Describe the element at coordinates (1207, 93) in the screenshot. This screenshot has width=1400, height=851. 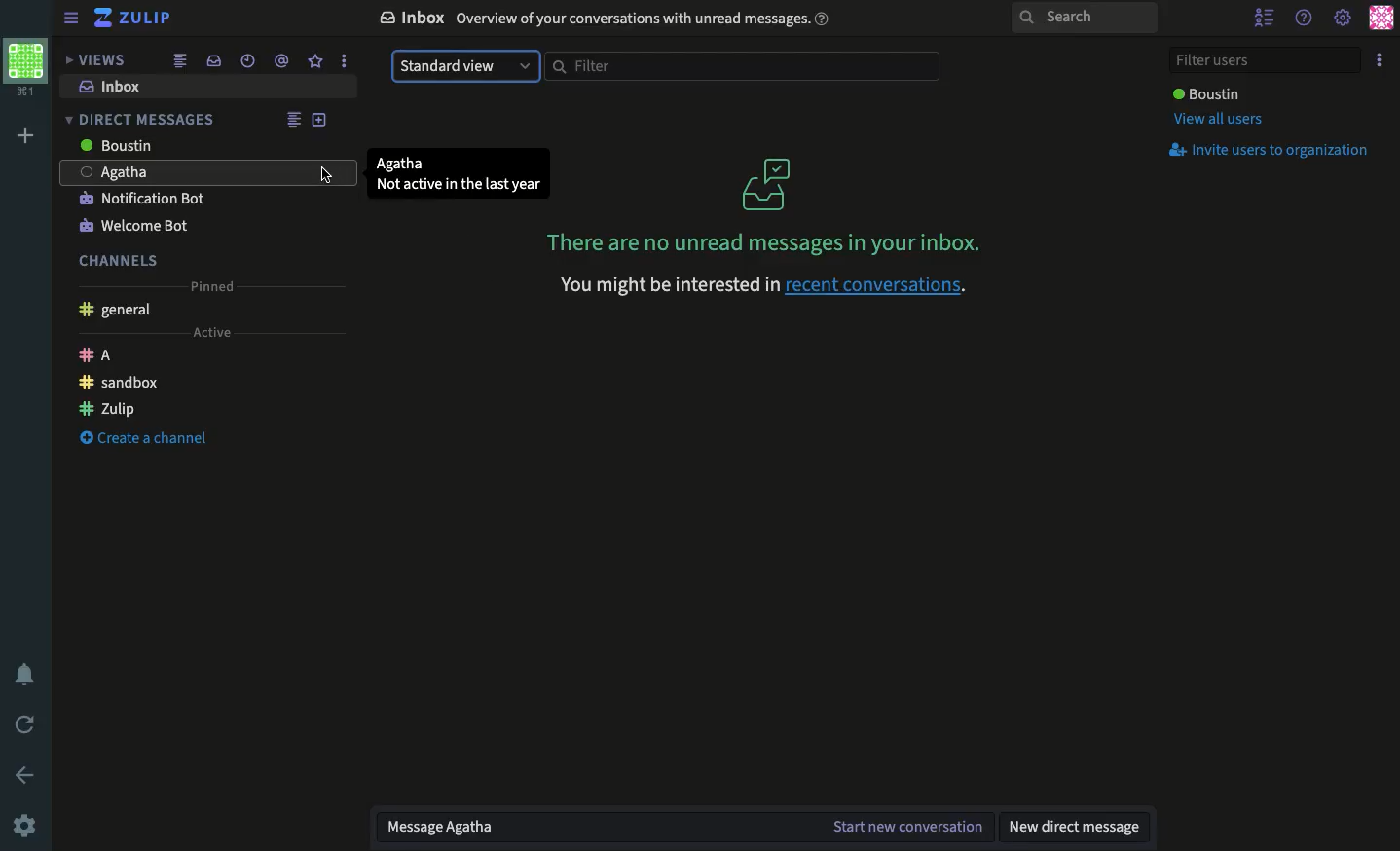
I see `User` at that location.